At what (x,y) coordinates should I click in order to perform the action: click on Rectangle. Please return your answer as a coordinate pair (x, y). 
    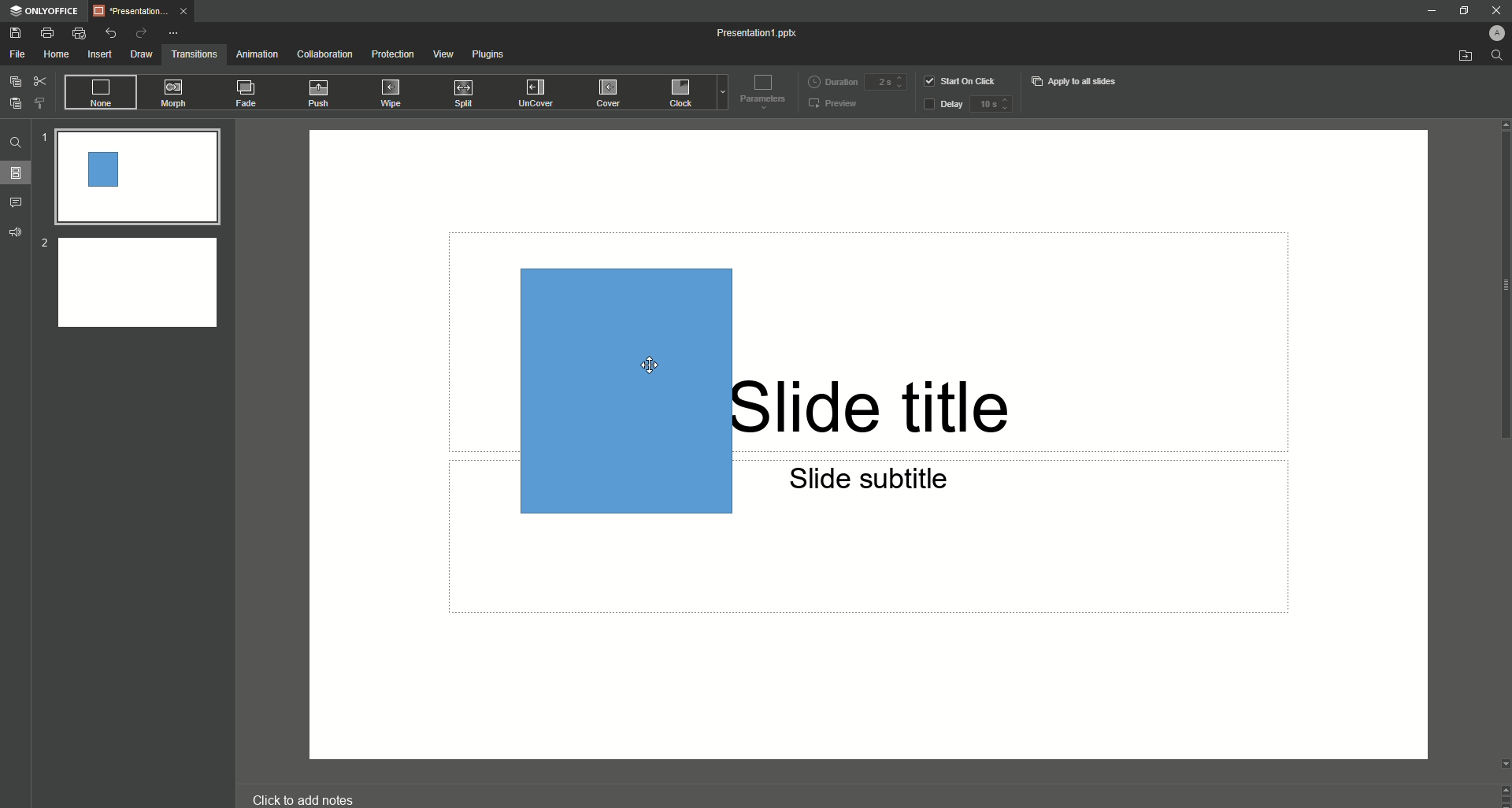
    Looking at the image, I should click on (614, 393).